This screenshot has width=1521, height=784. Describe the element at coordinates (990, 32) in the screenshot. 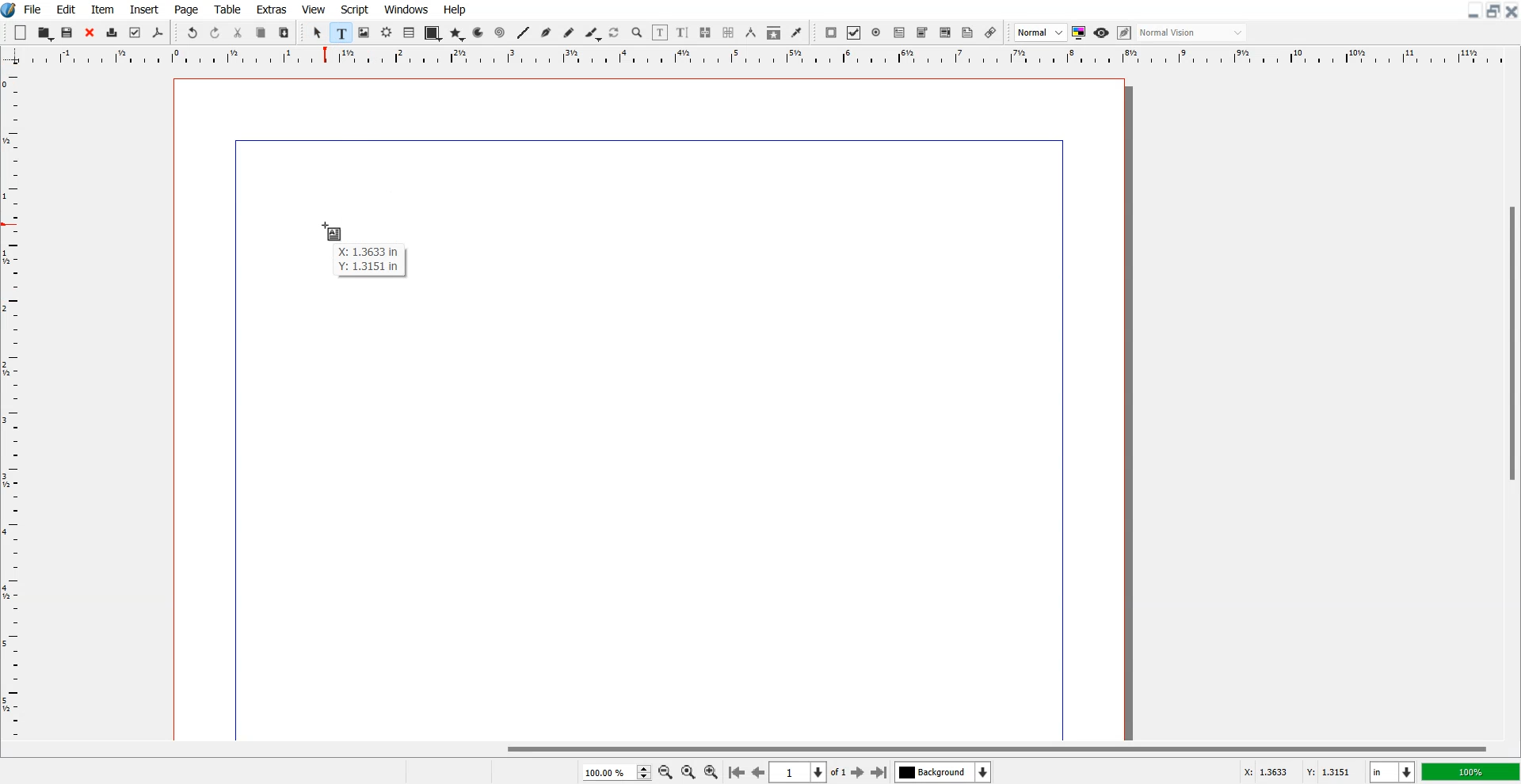

I see `Link Annotation` at that location.